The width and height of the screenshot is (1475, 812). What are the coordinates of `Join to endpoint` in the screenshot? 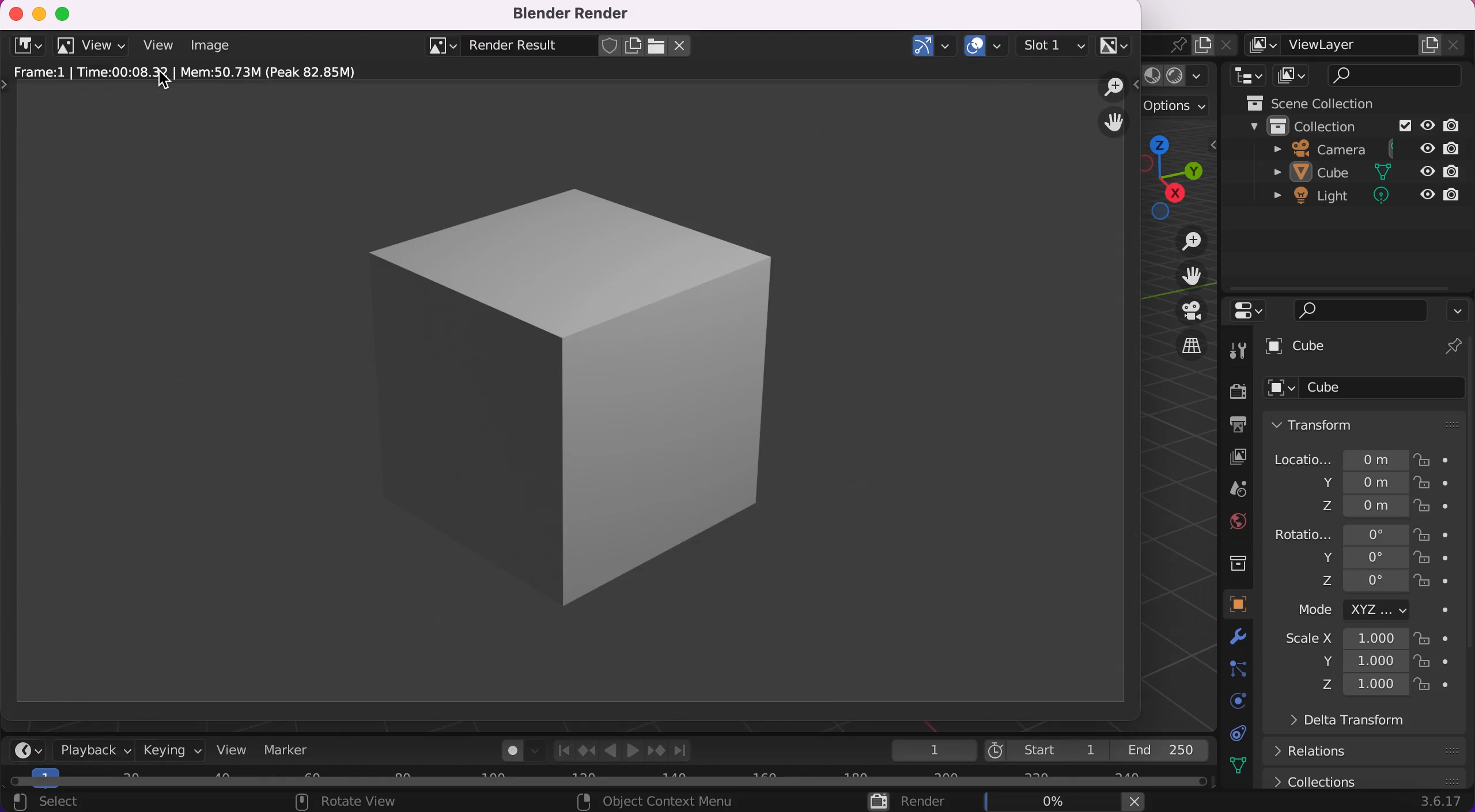 It's located at (682, 751).